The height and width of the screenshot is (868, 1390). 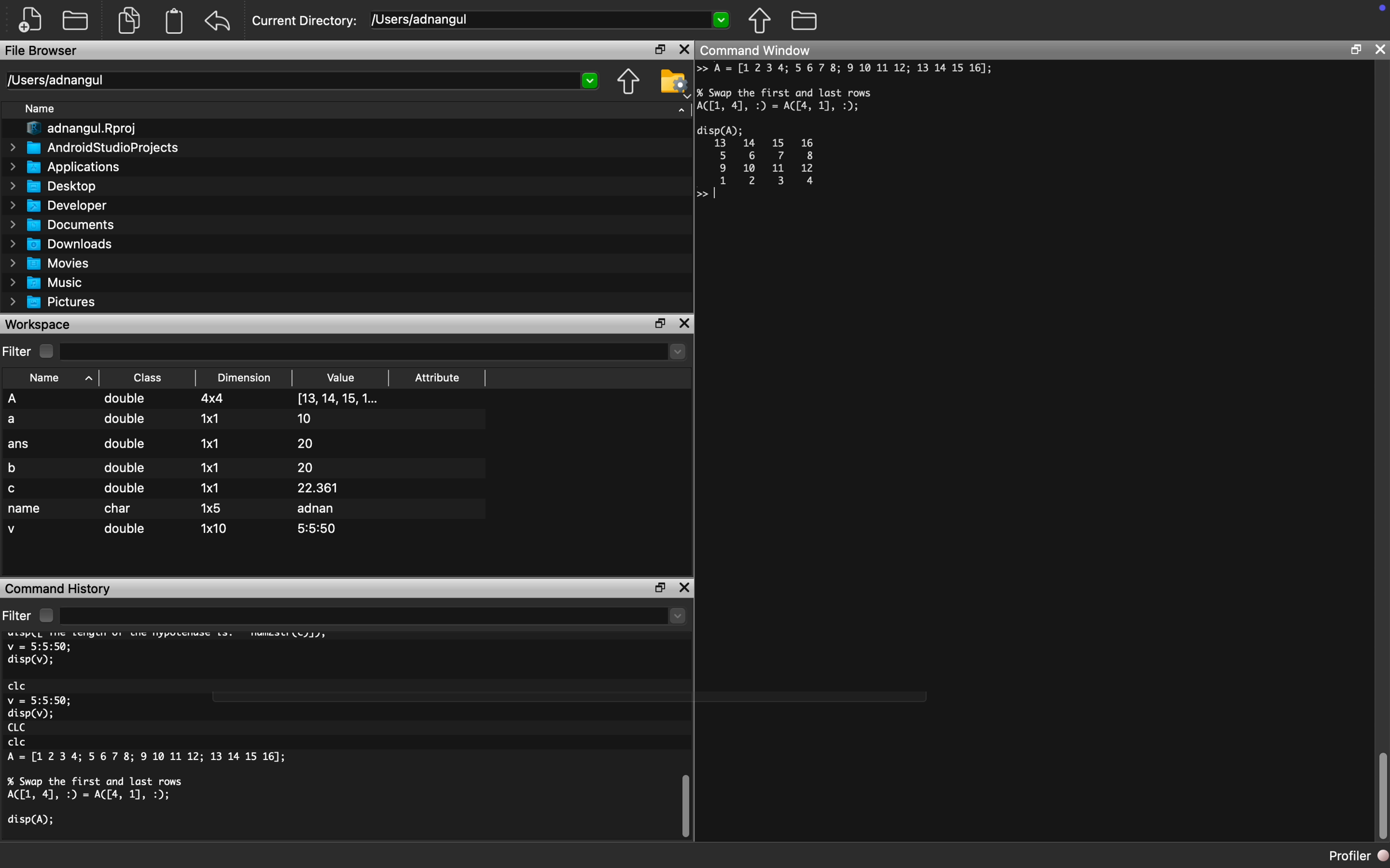 What do you see at coordinates (59, 206) in the screenshot?
I see `> [3 Developer` at bounding box center [59, 206].